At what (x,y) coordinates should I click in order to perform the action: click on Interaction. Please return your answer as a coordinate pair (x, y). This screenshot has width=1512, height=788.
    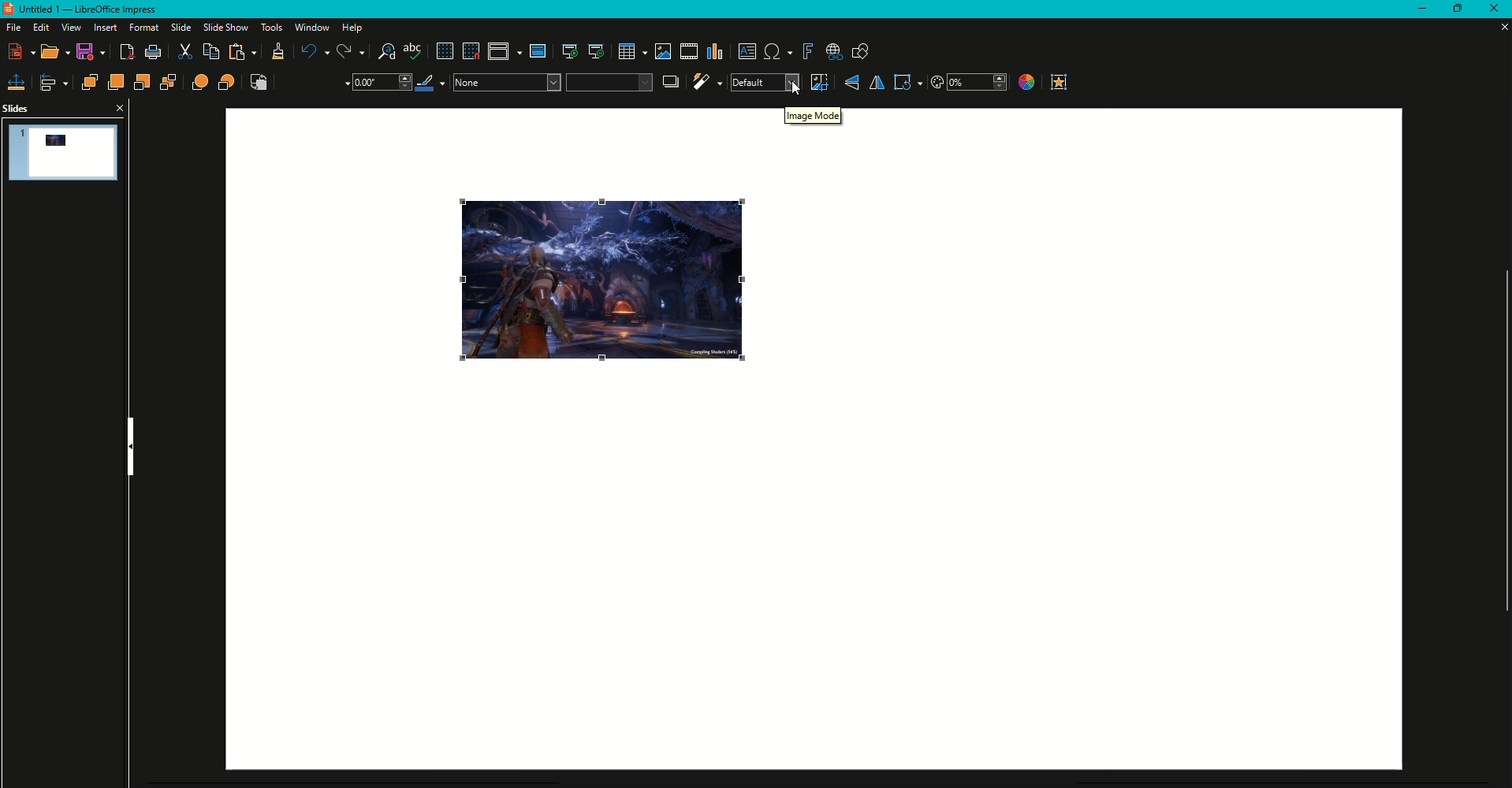
    Looking at the image, I should click on (1060, 82).